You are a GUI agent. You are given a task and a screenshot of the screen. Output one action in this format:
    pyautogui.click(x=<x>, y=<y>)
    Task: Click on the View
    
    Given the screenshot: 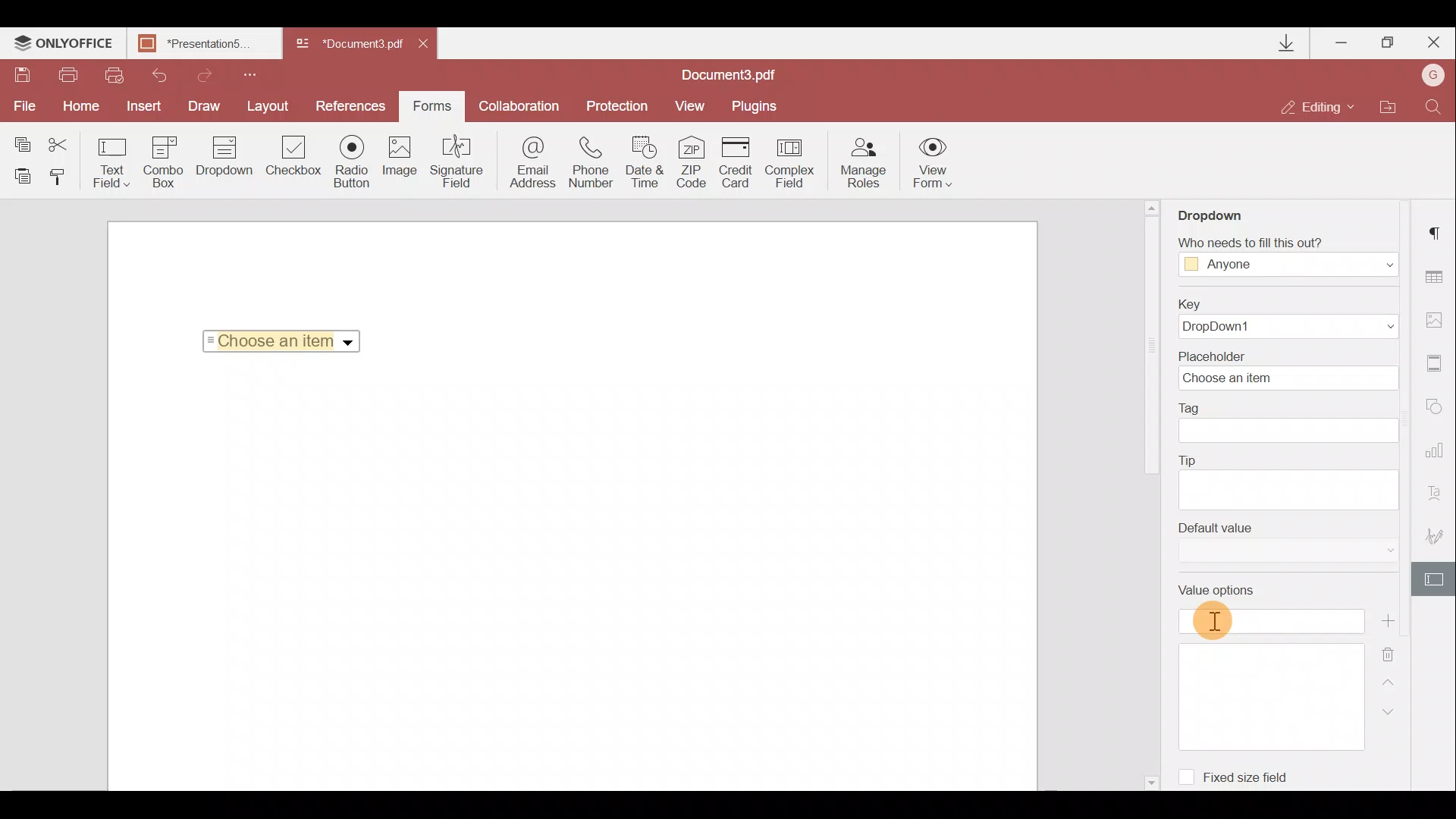 What is the action you would take?
    pyautogui.click(x=690, y=105)
    